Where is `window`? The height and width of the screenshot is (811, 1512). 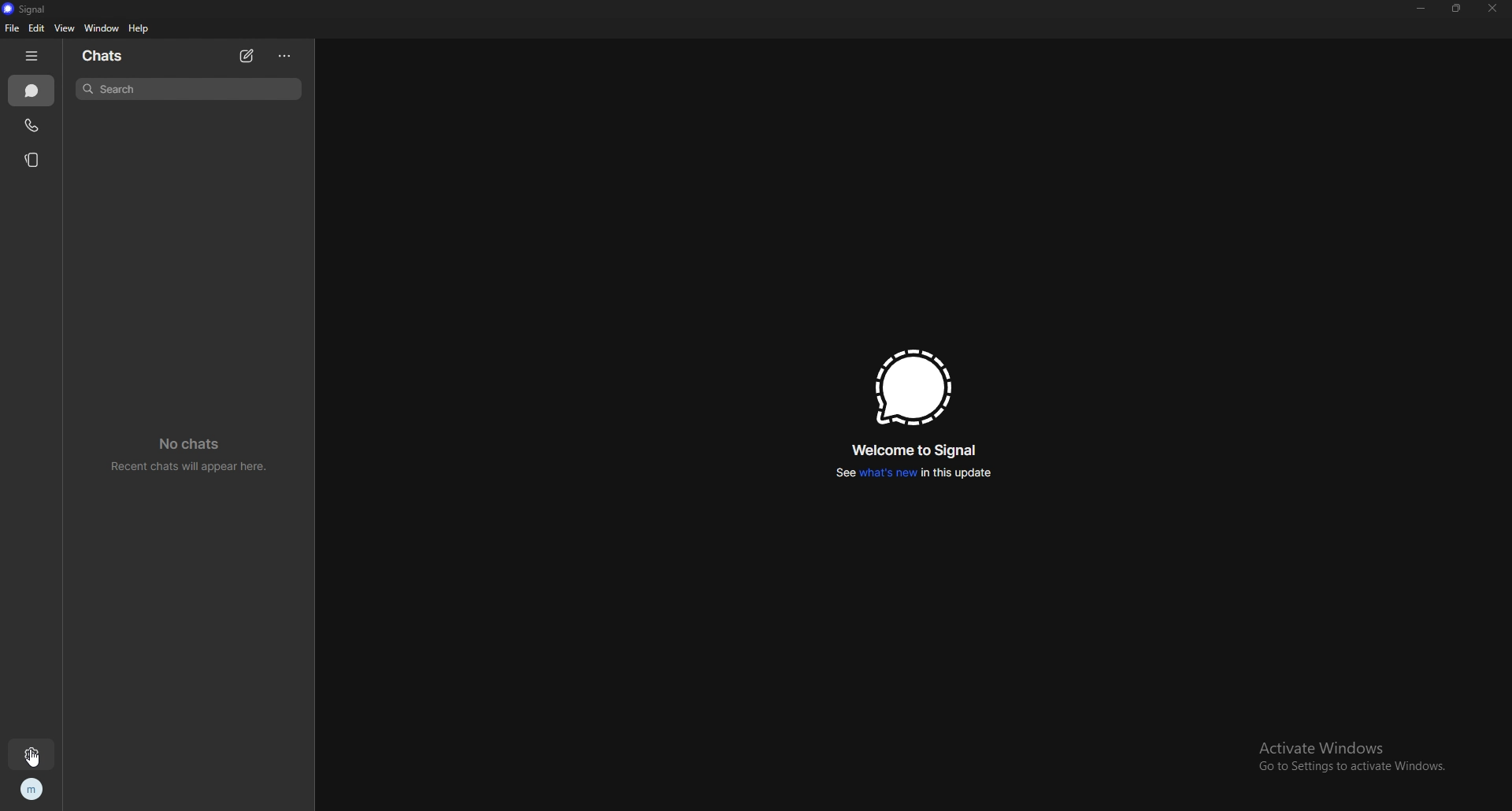
window is located at coordinates (104, 28).